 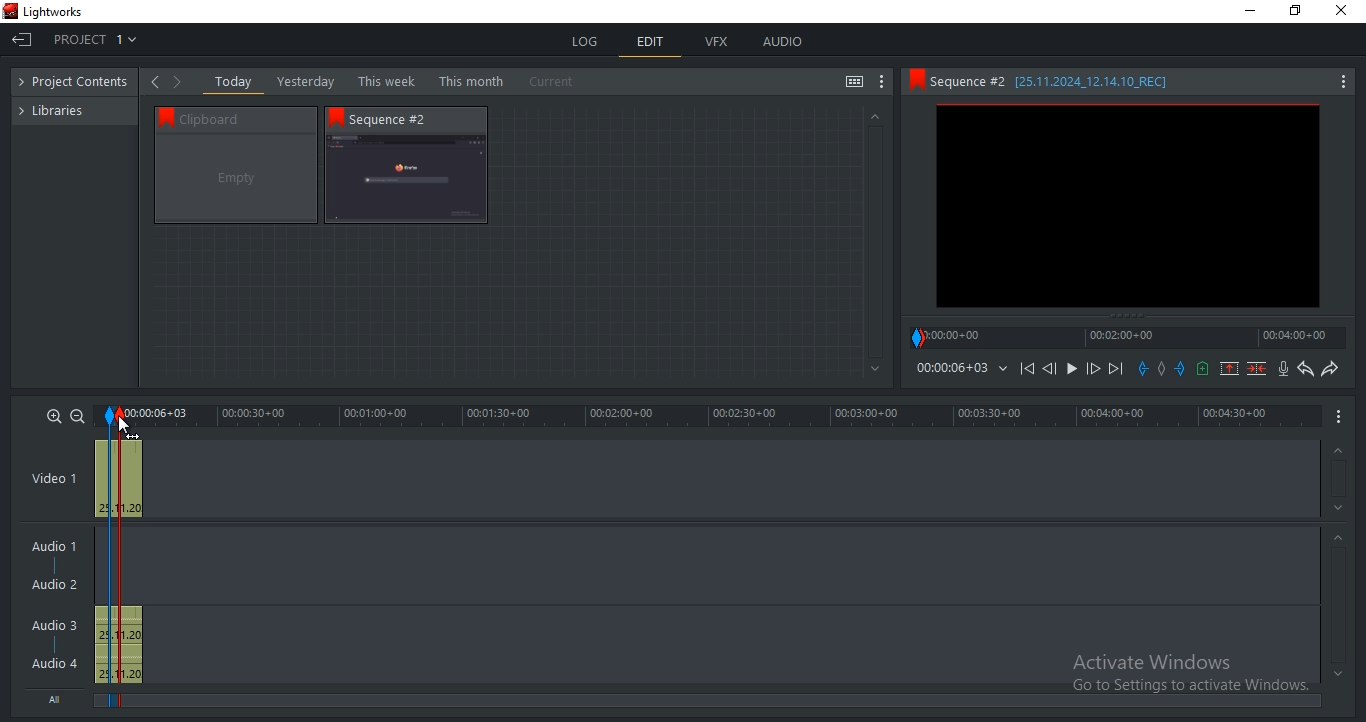 I want to click on Clipboard, so click(x=245, y=118).